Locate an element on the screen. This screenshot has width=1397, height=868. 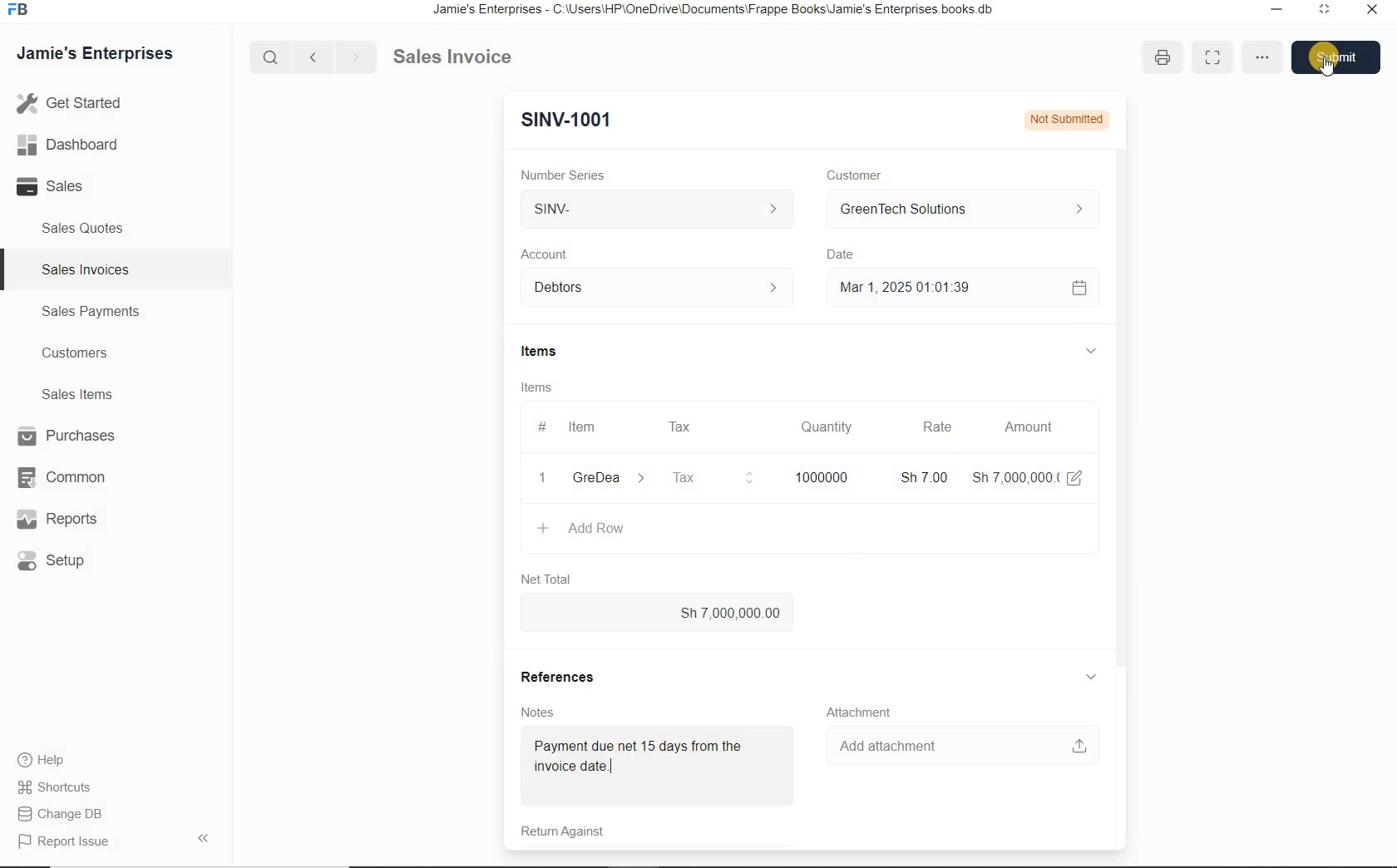
Quantity is located at coordinates (827, 427).